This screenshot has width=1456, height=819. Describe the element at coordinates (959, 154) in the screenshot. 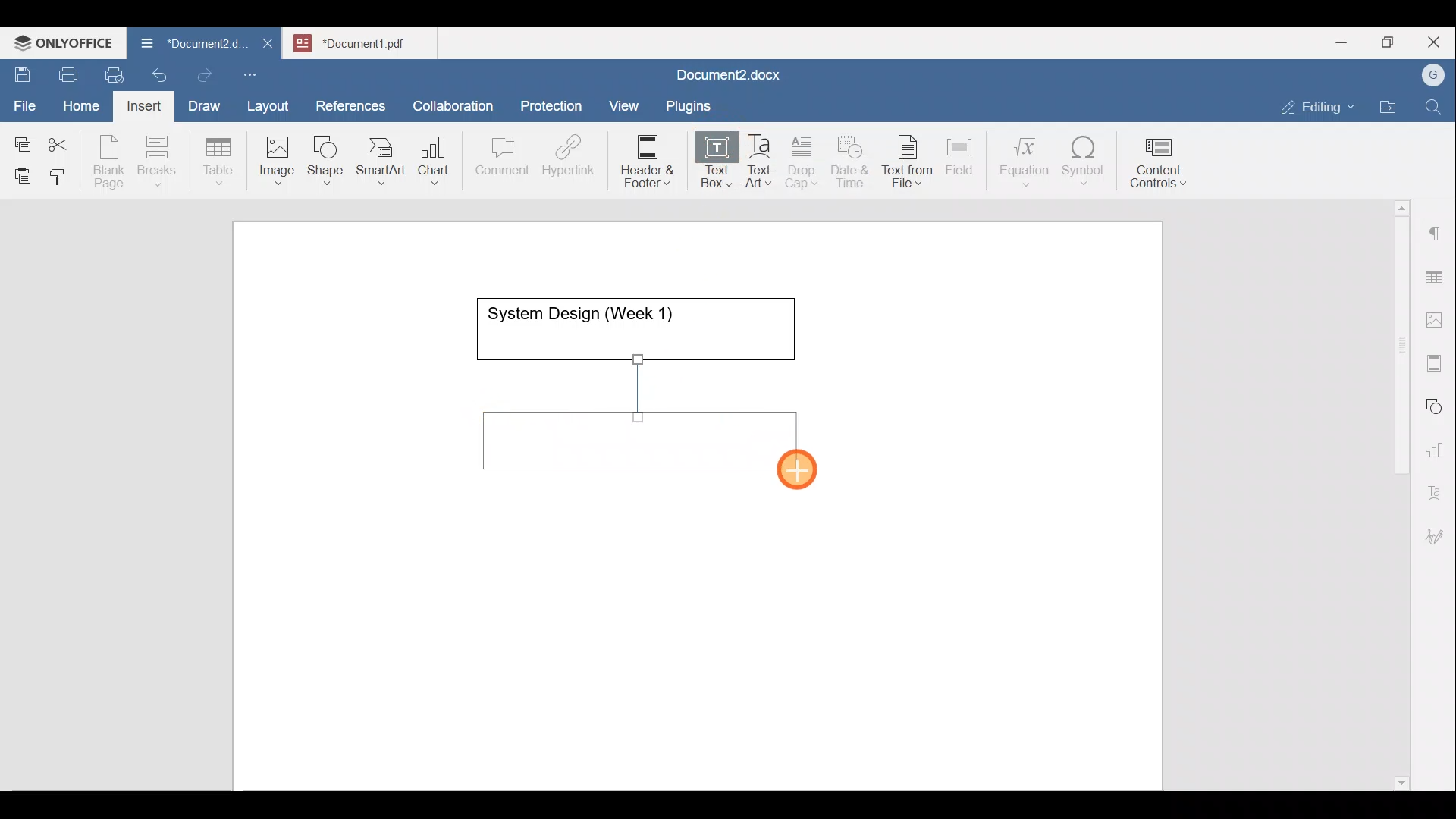

I see `Field` at that location.